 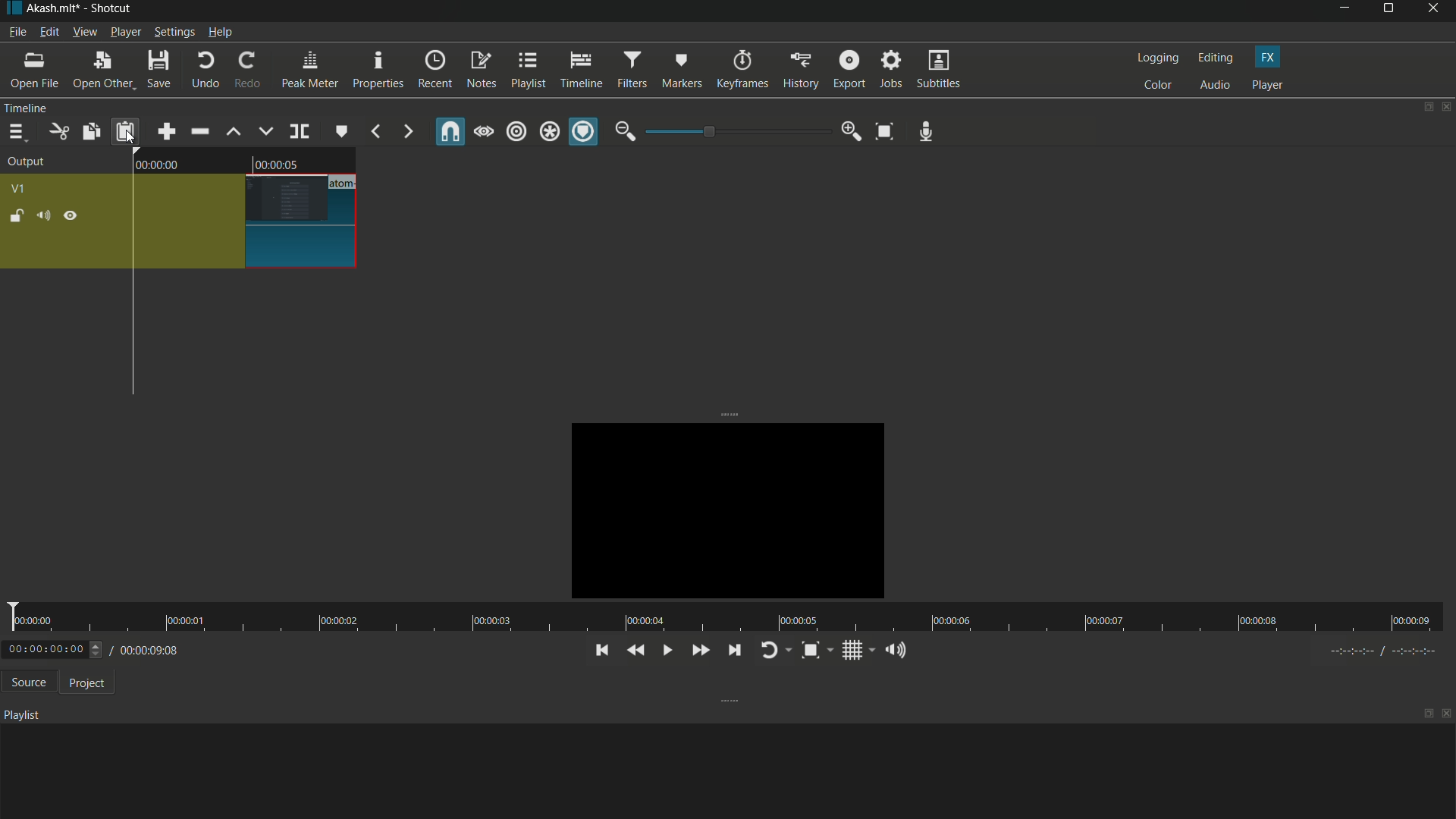 What do you see at coordinates (632, 69) in the screenshot?
I see `filters` at bounding box center [632, 69].